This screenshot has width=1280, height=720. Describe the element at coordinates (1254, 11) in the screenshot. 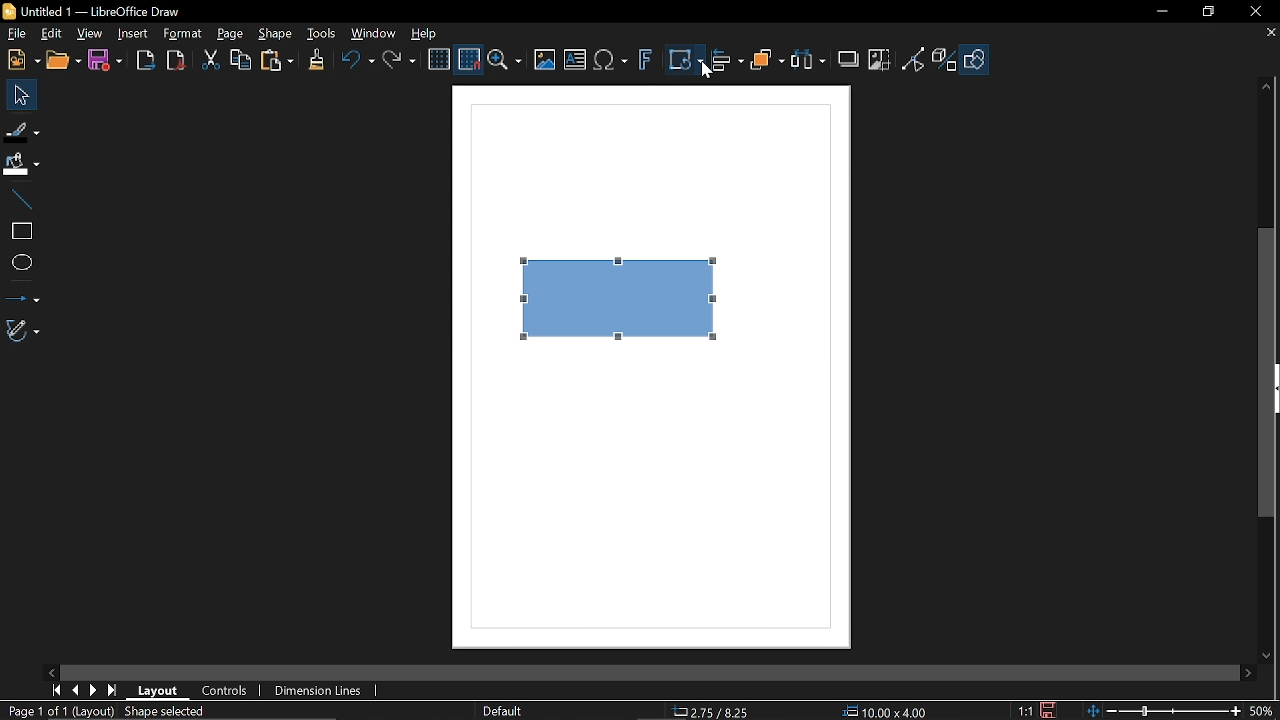

I see `Close window` at that location.